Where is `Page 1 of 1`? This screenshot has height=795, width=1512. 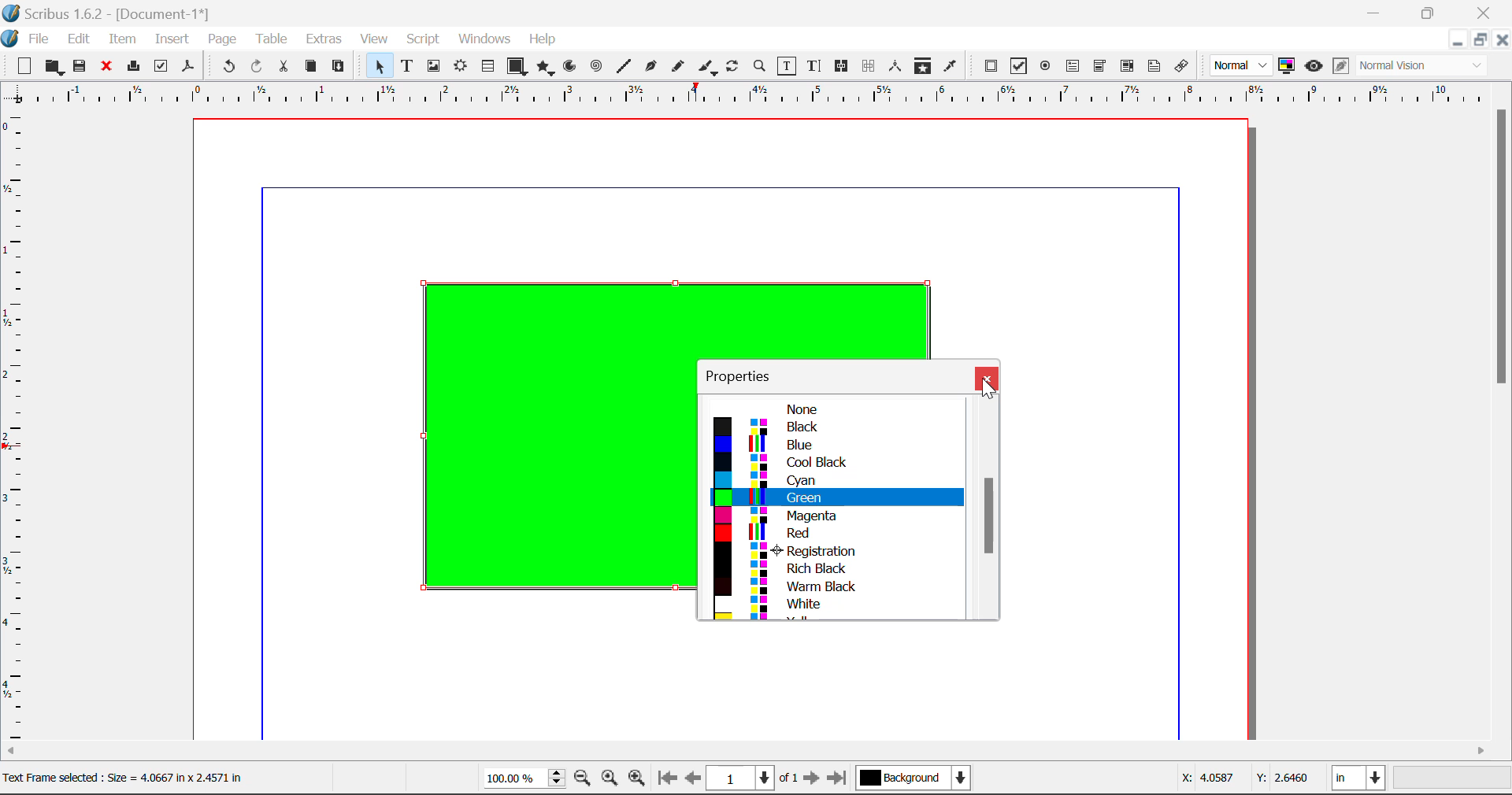 Page 1 of 1 is located at coordinates (754, 778).